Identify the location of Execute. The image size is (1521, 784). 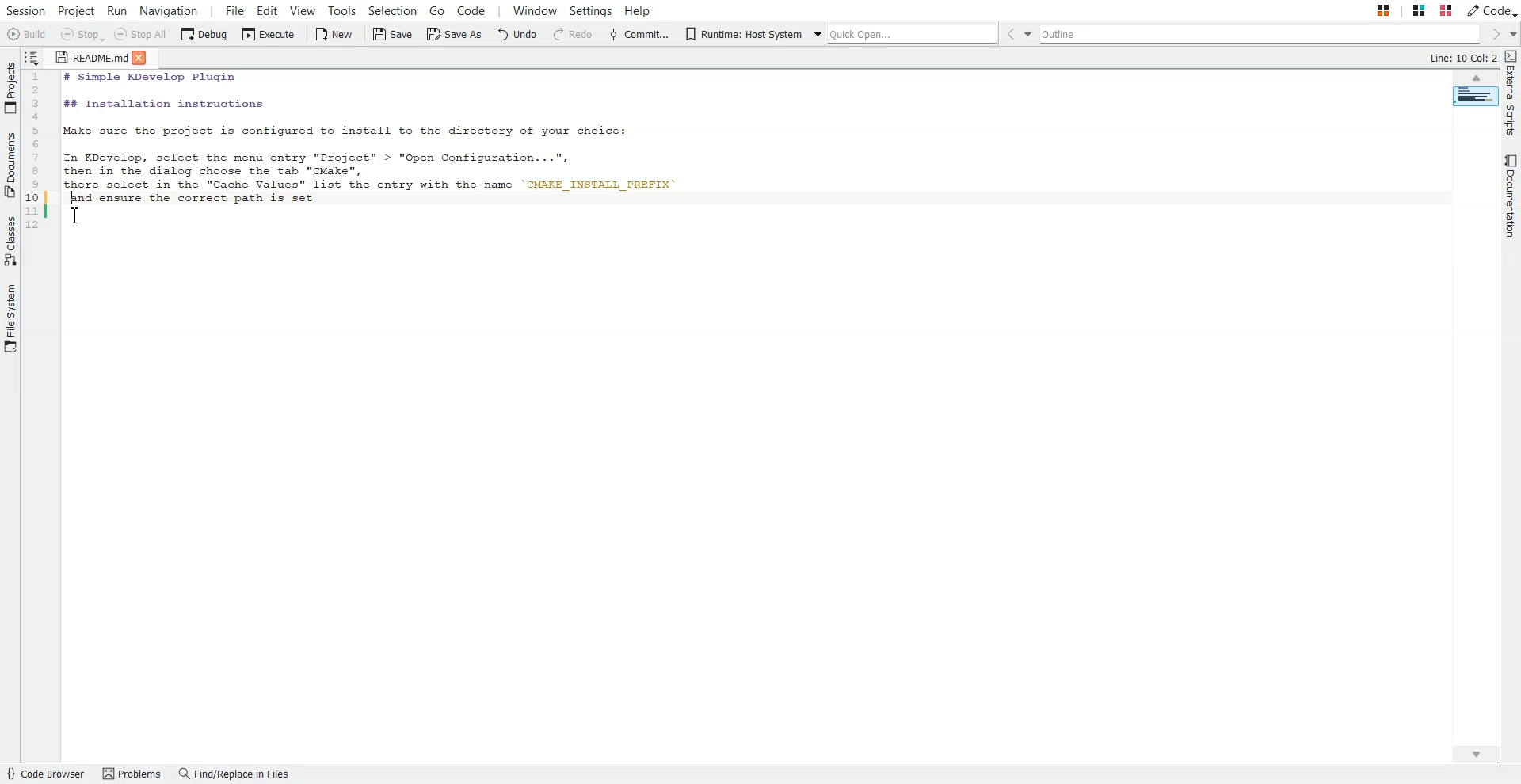
(269, 35).